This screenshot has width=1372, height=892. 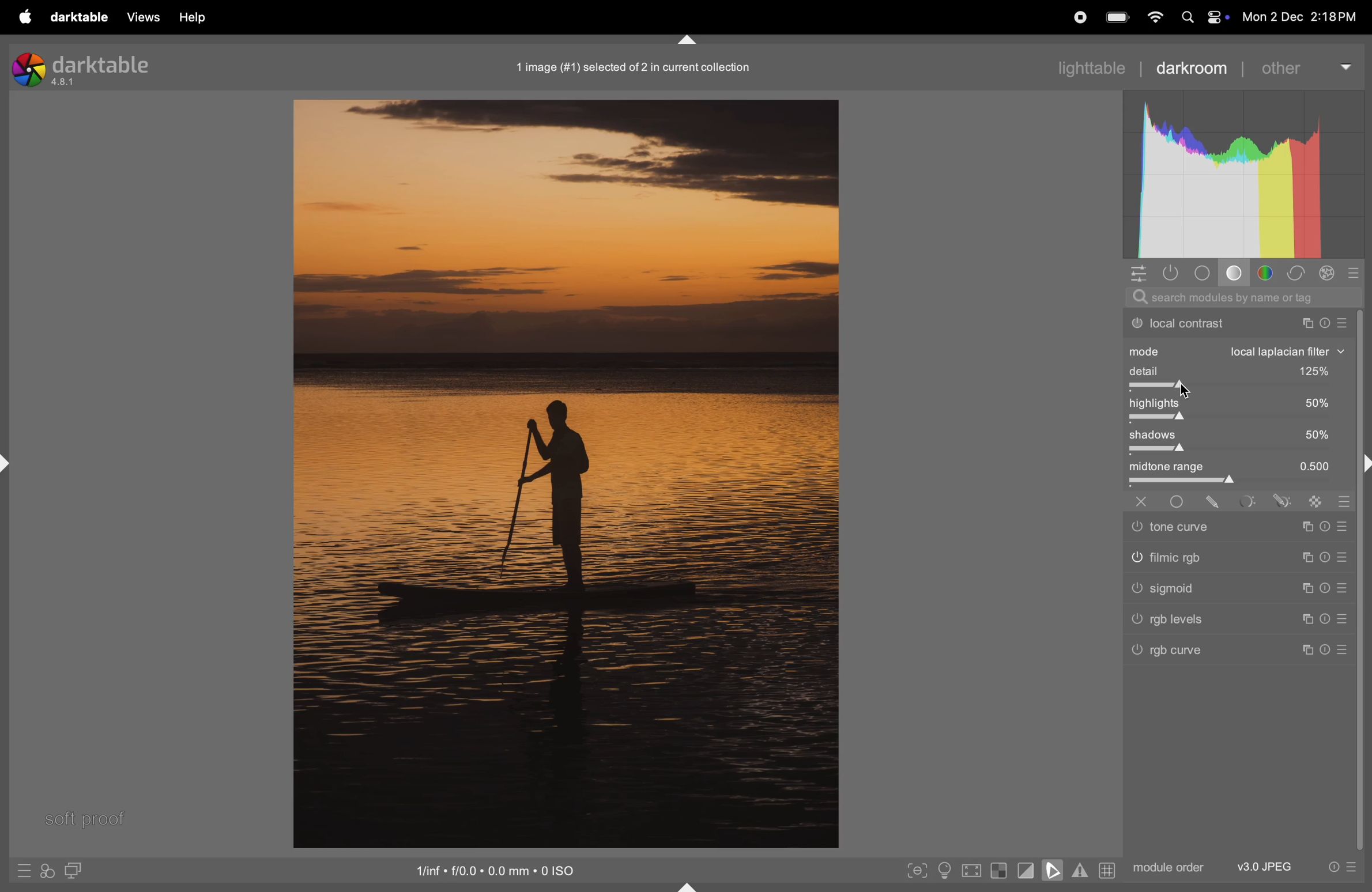 What do you see at coordinates (944, 870) in the screenshot?
I see `toggle iso conditions` at bounding box center [944, 870].